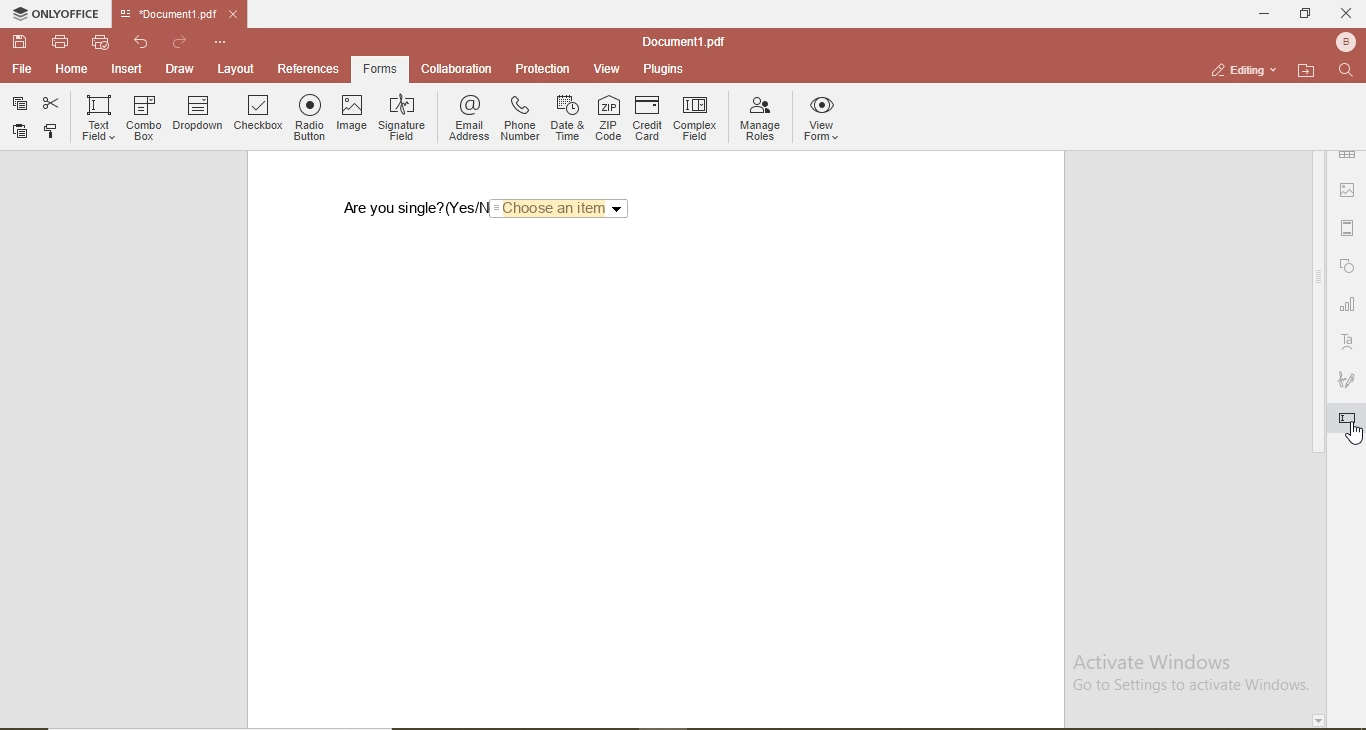  Describe the element at coordinates (101, 43) in the screenshot. I see `quick print` at that location.